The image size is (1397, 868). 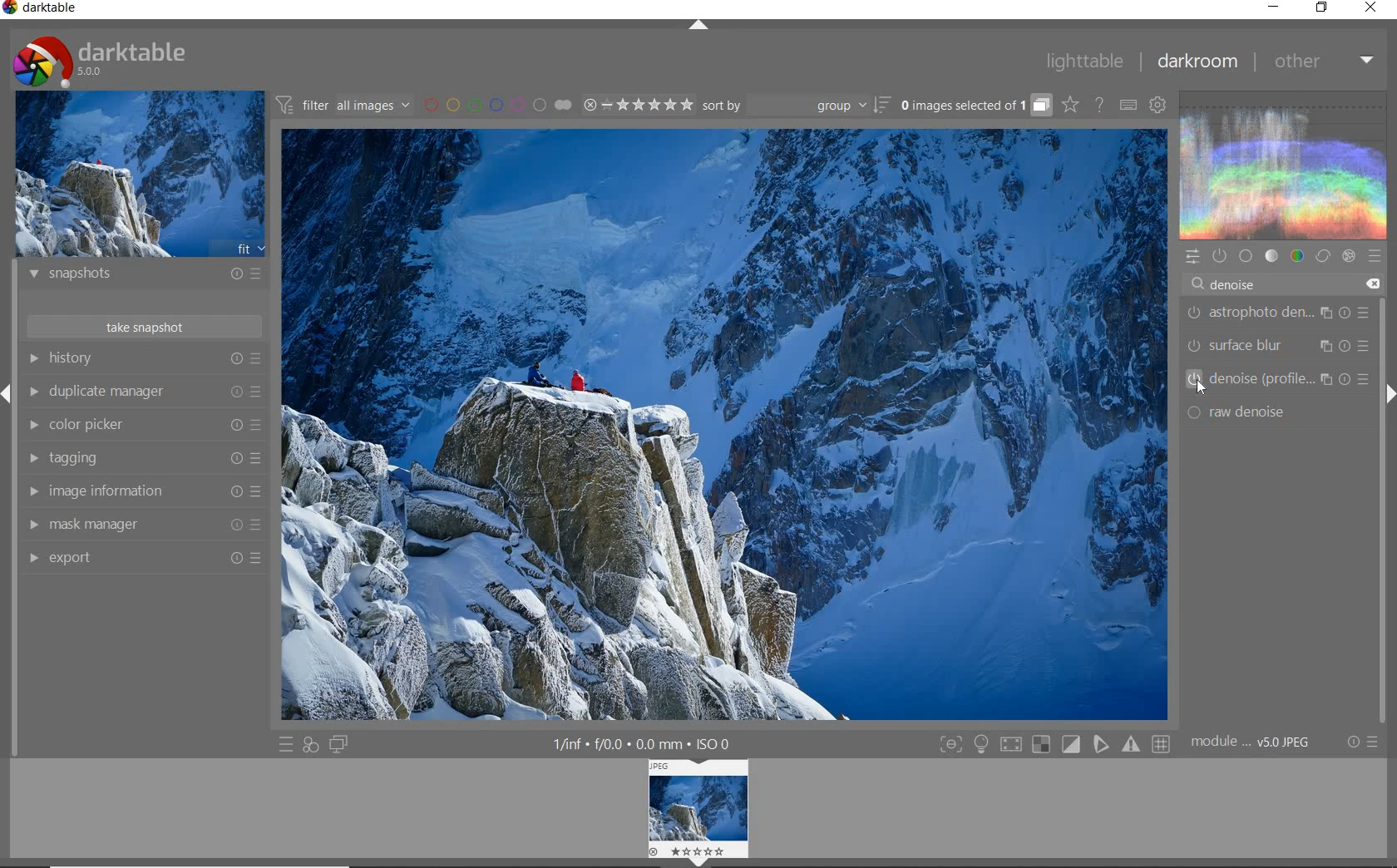 What do you see at coordinates (141, 557) in the screenshot?
I see `export` at bounding box center [141, 557].